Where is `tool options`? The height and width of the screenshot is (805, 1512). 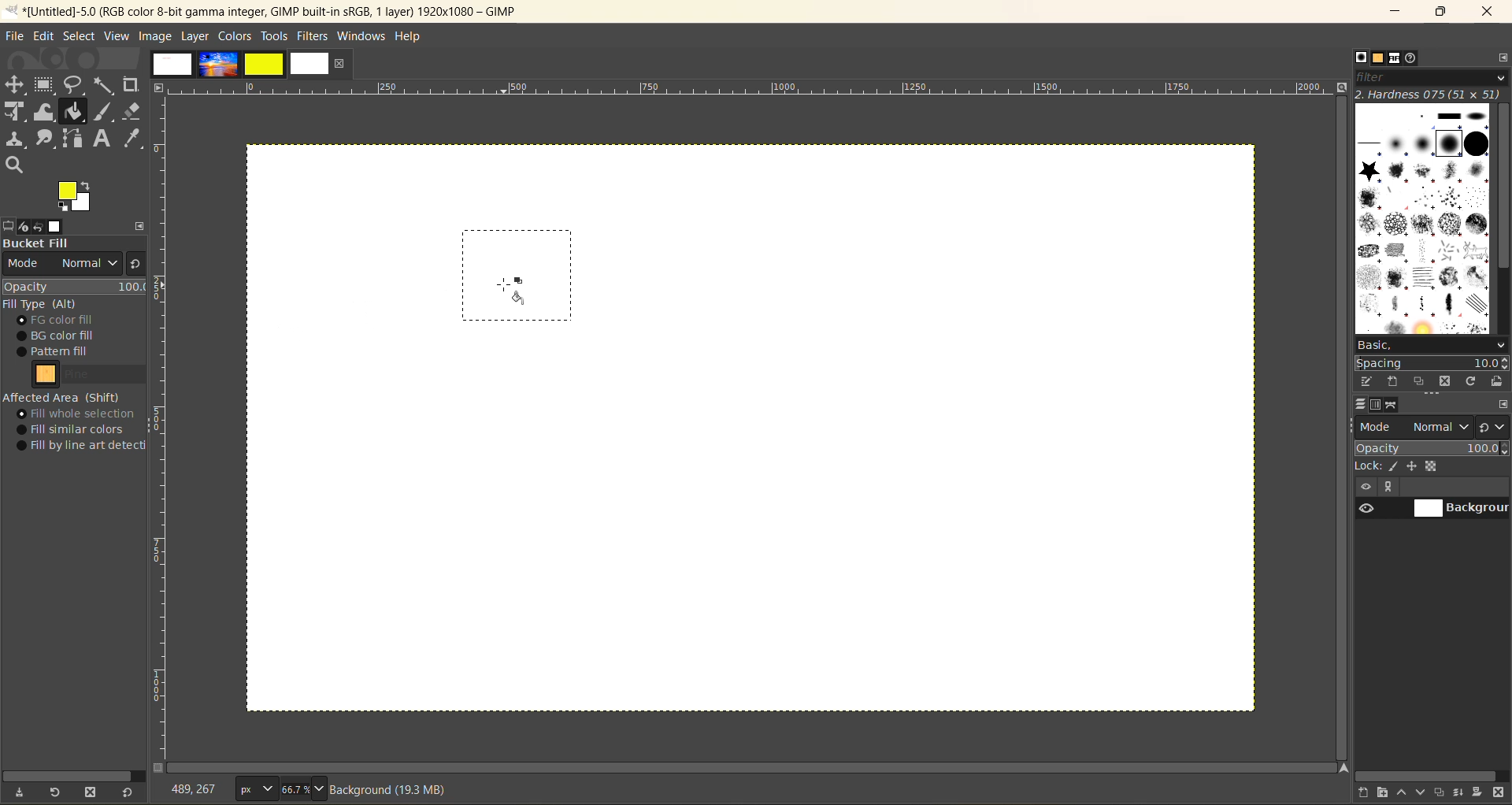
tool options is located at coordinates (9, 225).